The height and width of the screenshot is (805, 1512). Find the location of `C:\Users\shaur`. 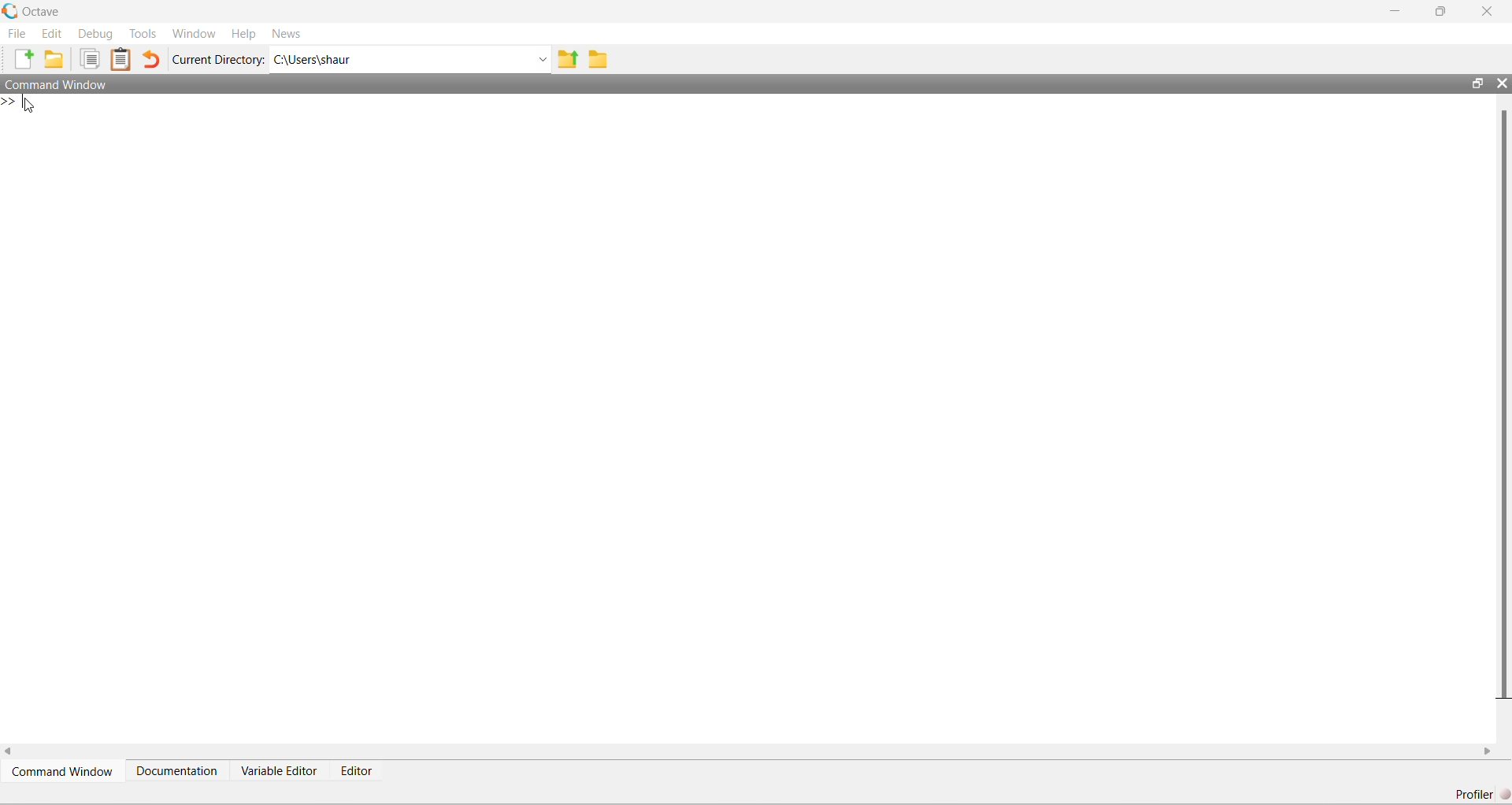

C:\Users\shaur is located at coordinates (400, 59).